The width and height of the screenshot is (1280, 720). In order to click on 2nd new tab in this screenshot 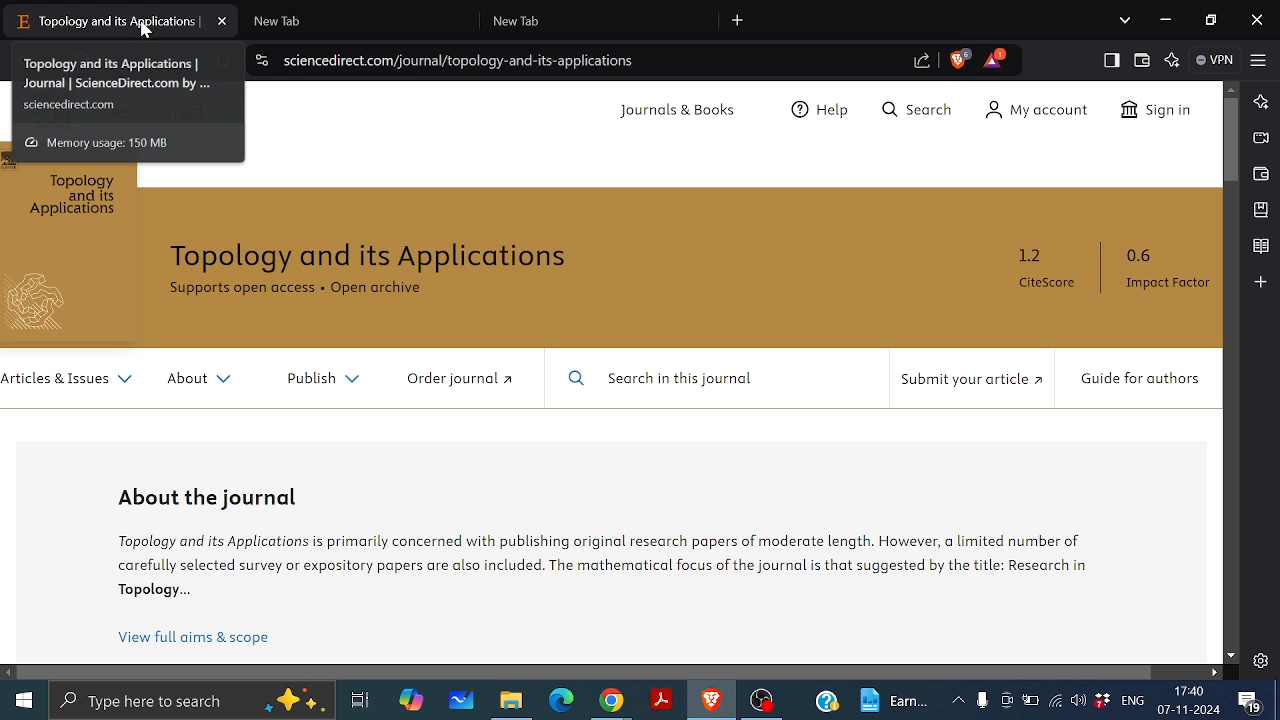, I will do `click(601, 19)`.